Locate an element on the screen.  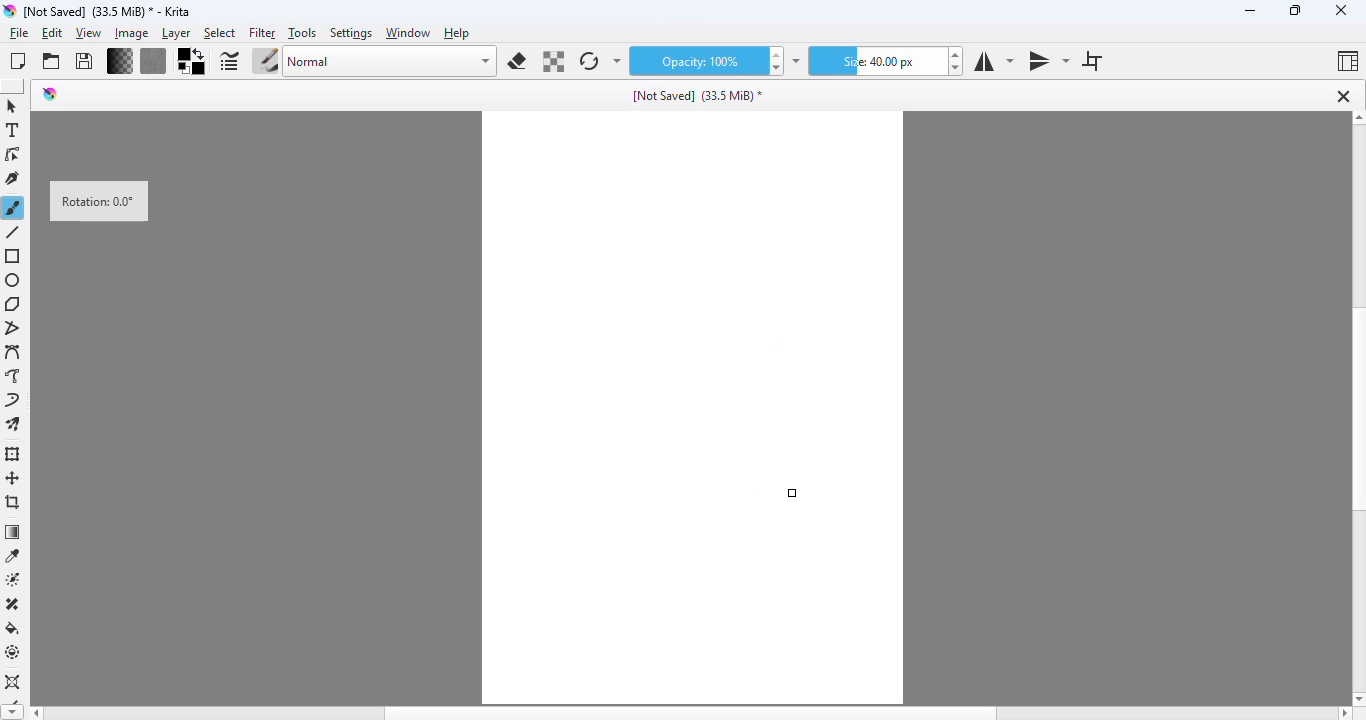
Scroll down is located at coordinates (12, 711).